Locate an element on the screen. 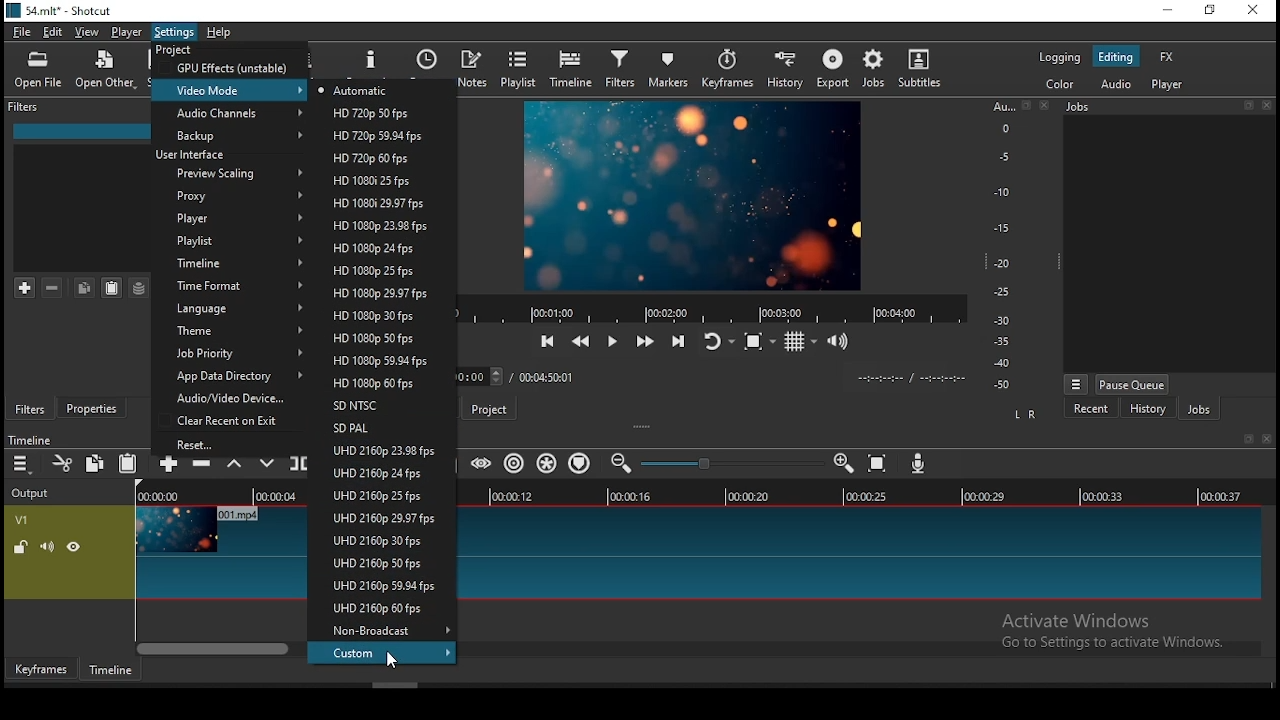  timeline is located at coordinates (225, 264).